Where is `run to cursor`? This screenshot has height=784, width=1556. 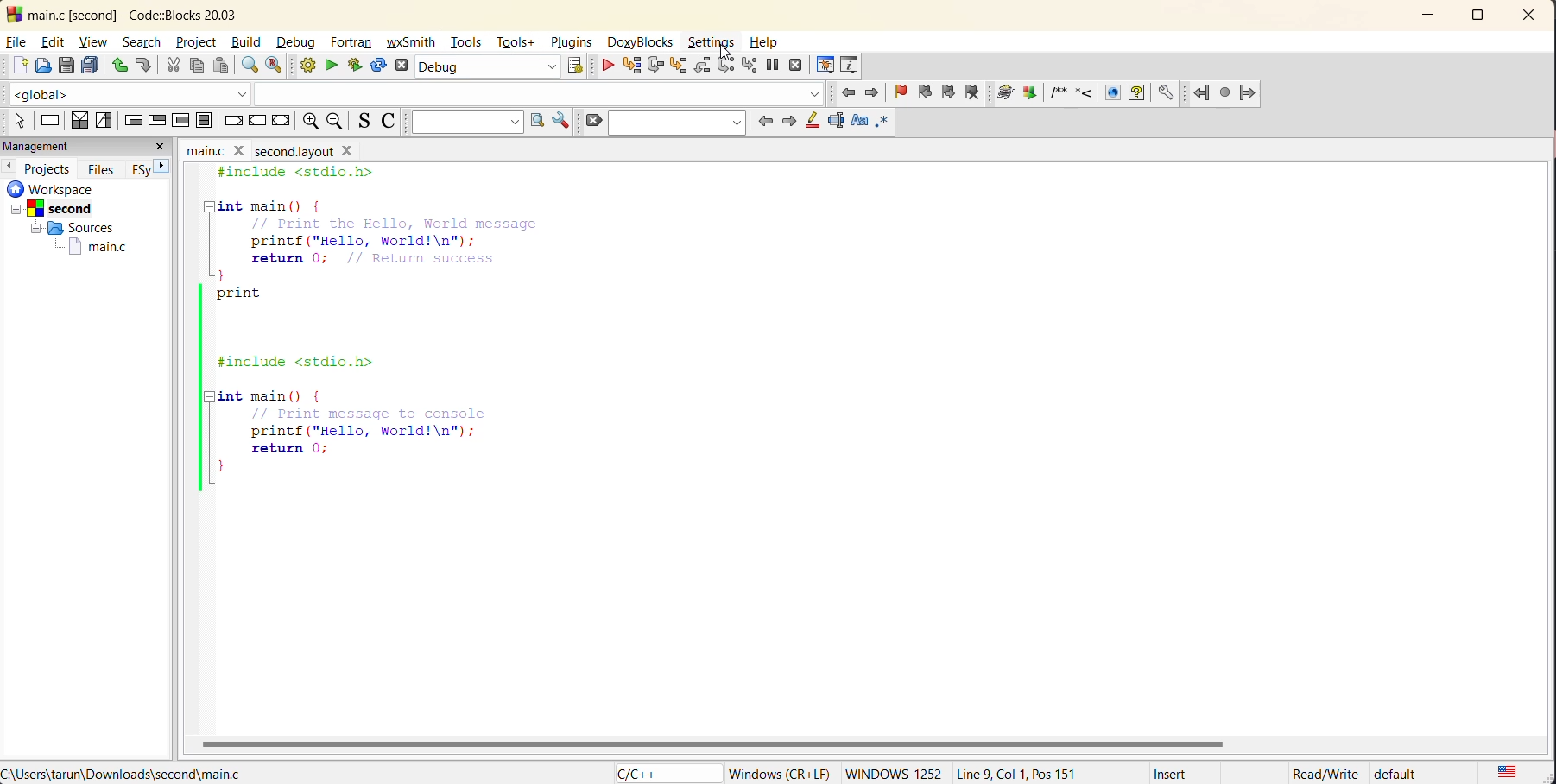
run to cursor is located at coordinates (632, 67).